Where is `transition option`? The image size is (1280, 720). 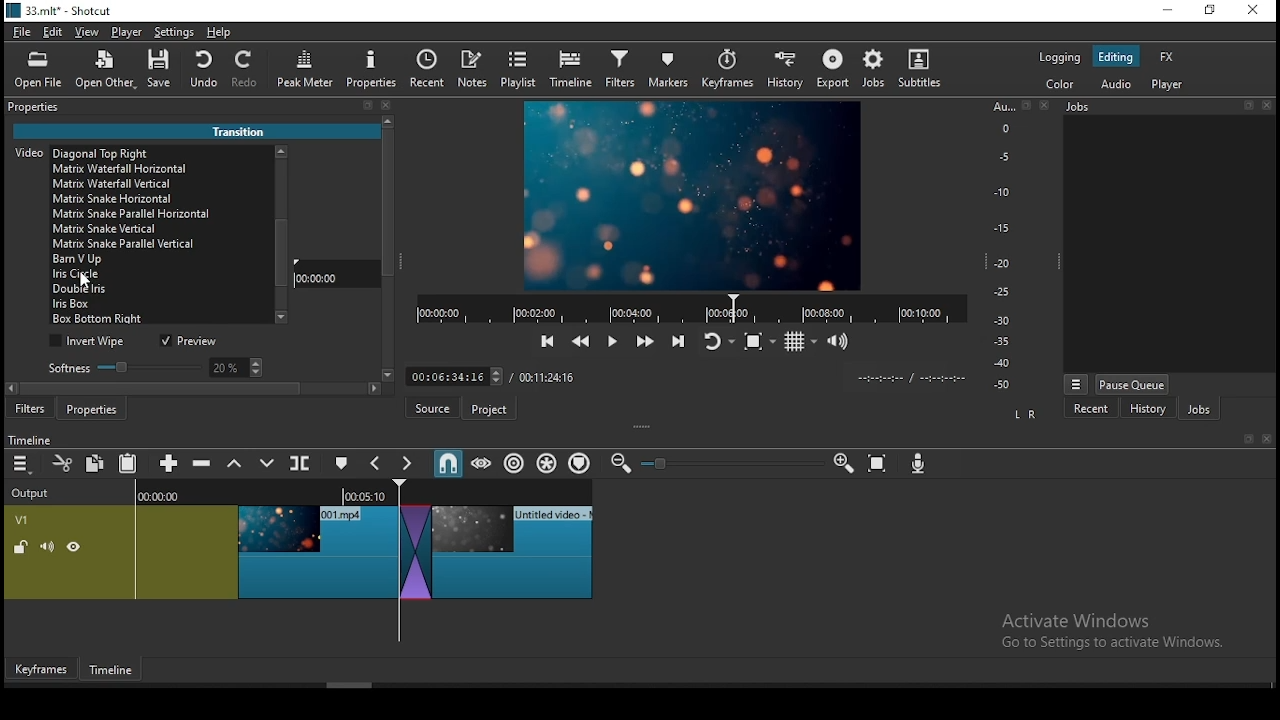 transition option is located at coordinates (159, 245).